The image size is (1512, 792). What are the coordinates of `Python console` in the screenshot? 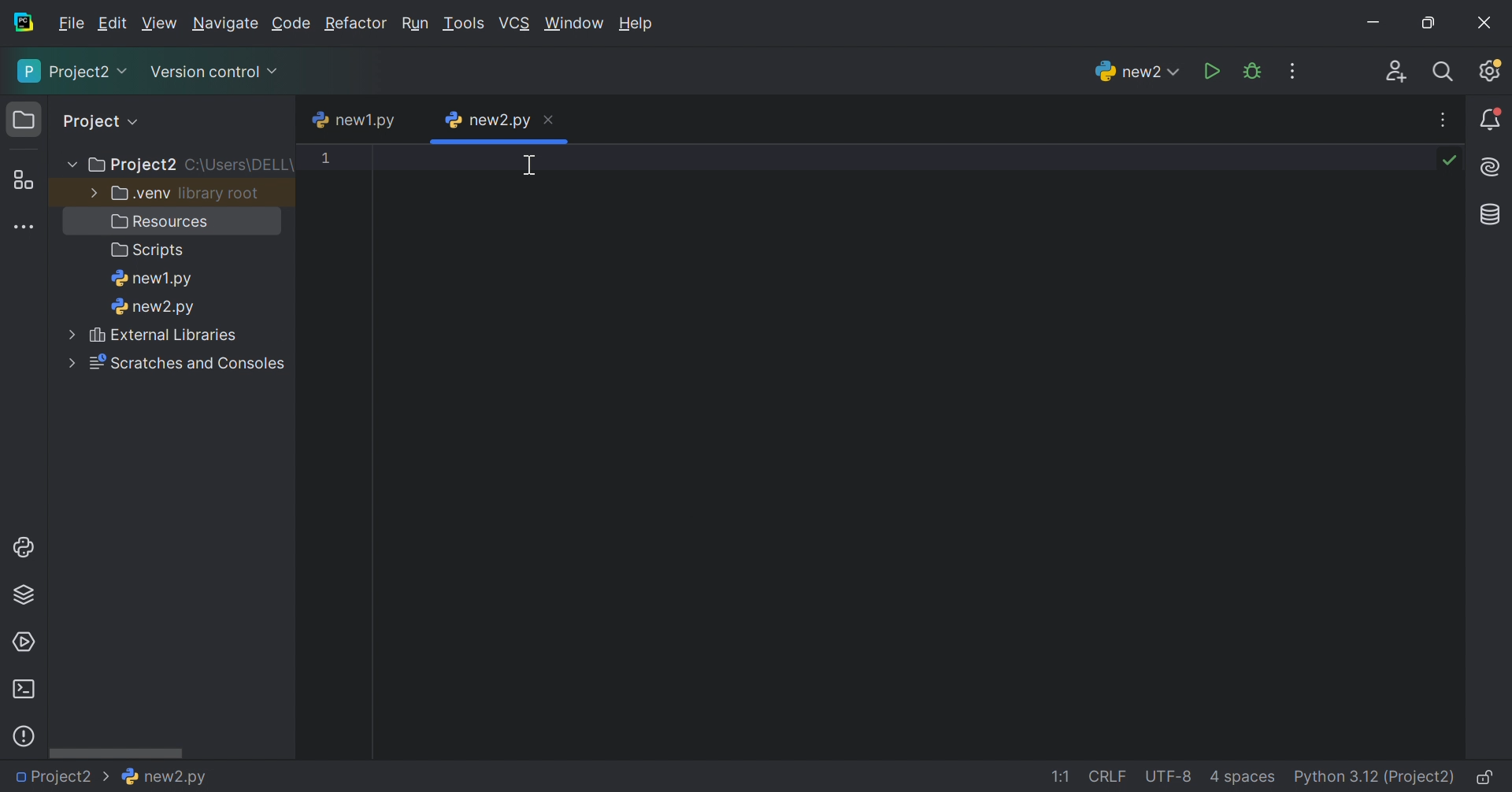 It's located at (21, 547).